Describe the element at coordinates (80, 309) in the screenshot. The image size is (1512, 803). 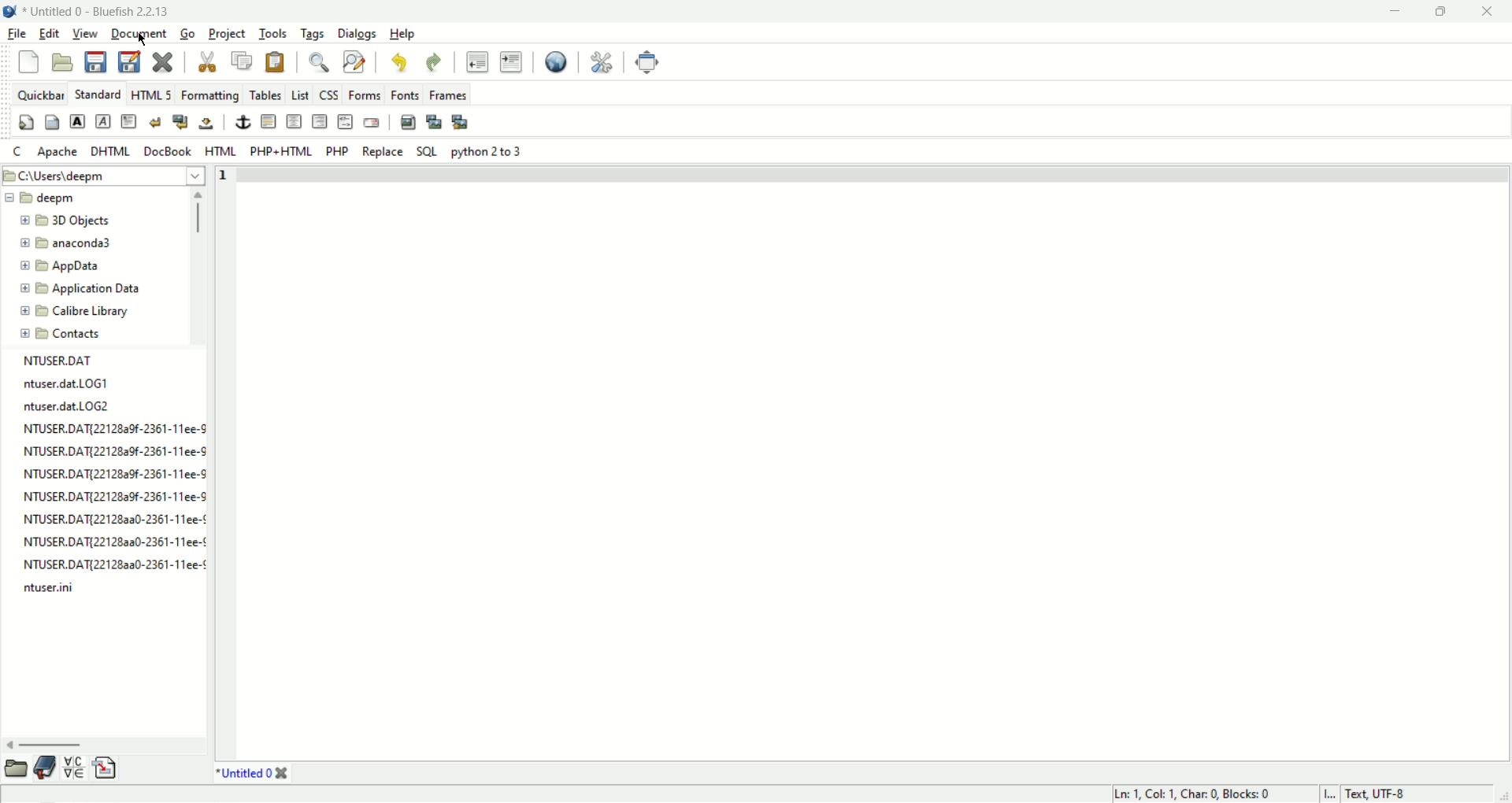
I see `folder name` at that location.